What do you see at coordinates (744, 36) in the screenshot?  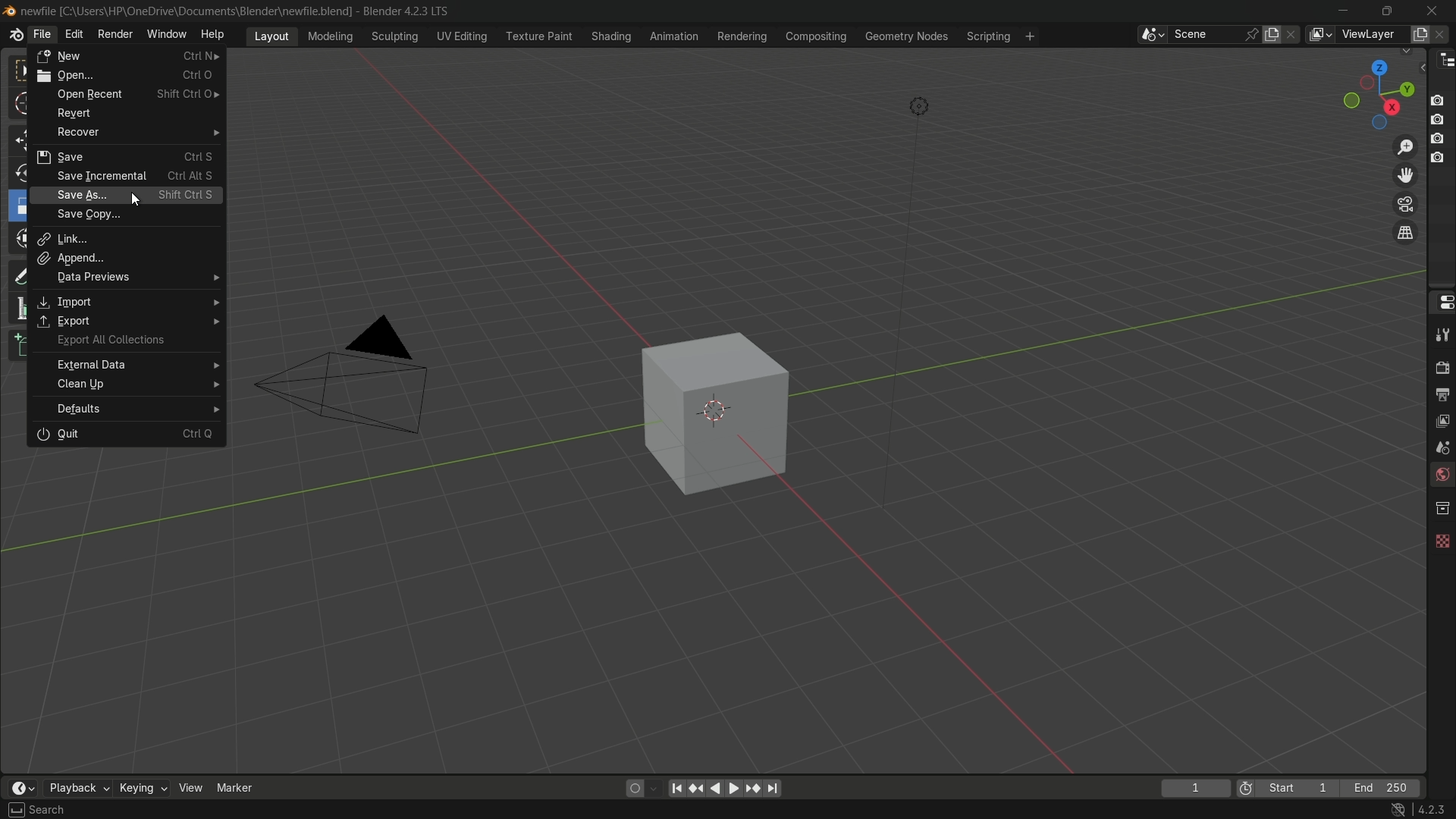 I see `rendering menu` at bounding box center [744, 36].